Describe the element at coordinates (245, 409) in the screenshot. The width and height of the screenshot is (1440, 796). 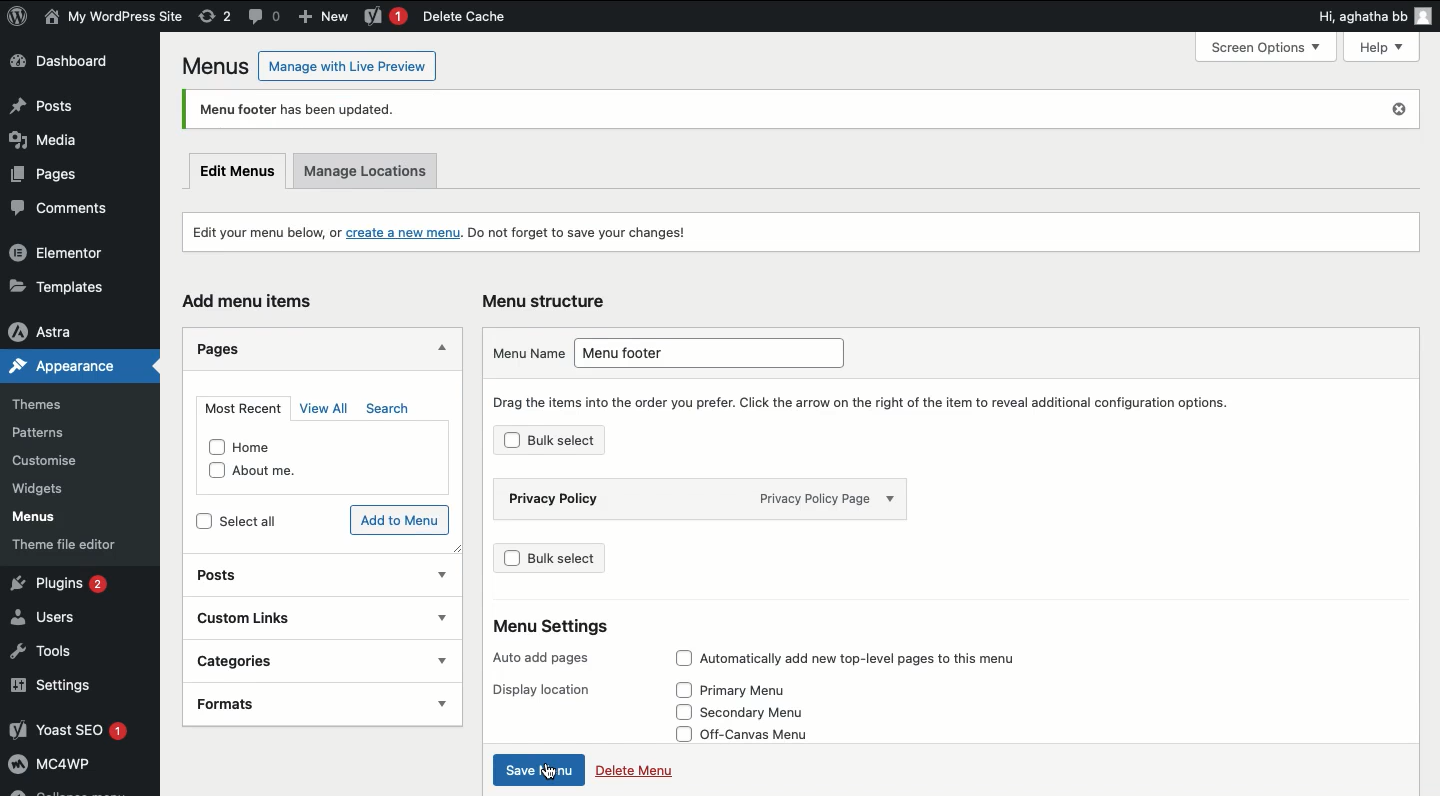
I see `Most recent` at that location.